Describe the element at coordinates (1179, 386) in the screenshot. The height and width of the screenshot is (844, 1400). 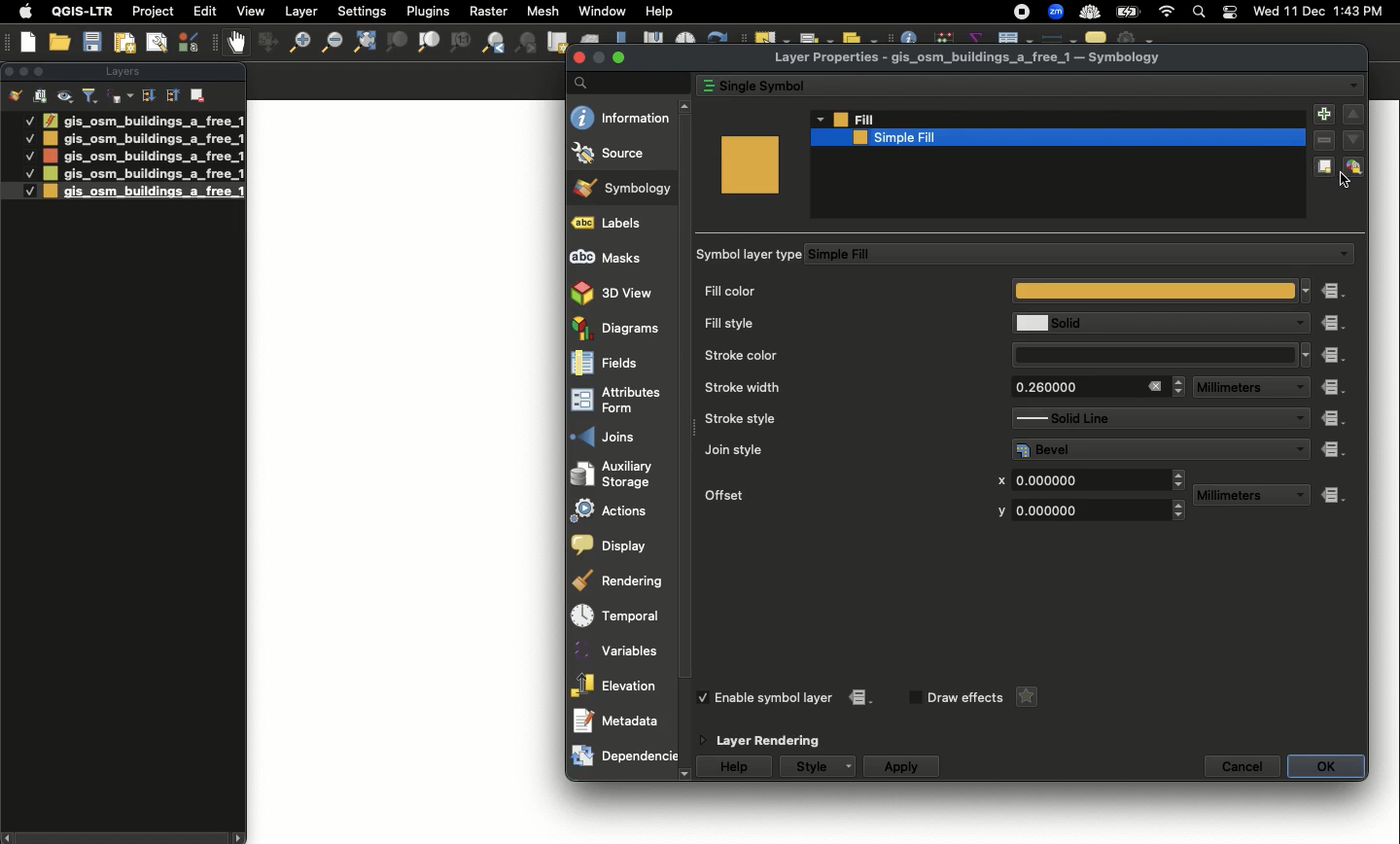
I see `Drop down` at that location.